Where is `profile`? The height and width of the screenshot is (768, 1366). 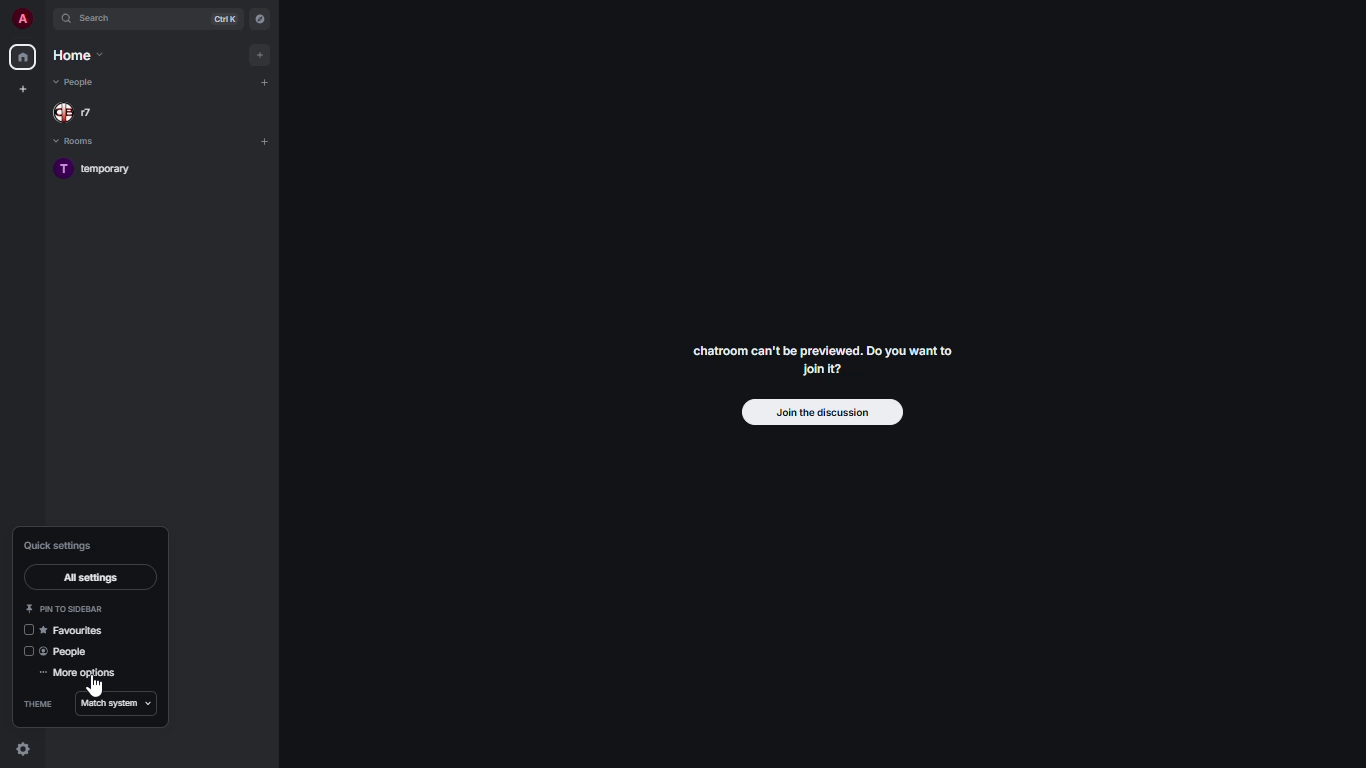
profile is located at coordinates (19, 19).